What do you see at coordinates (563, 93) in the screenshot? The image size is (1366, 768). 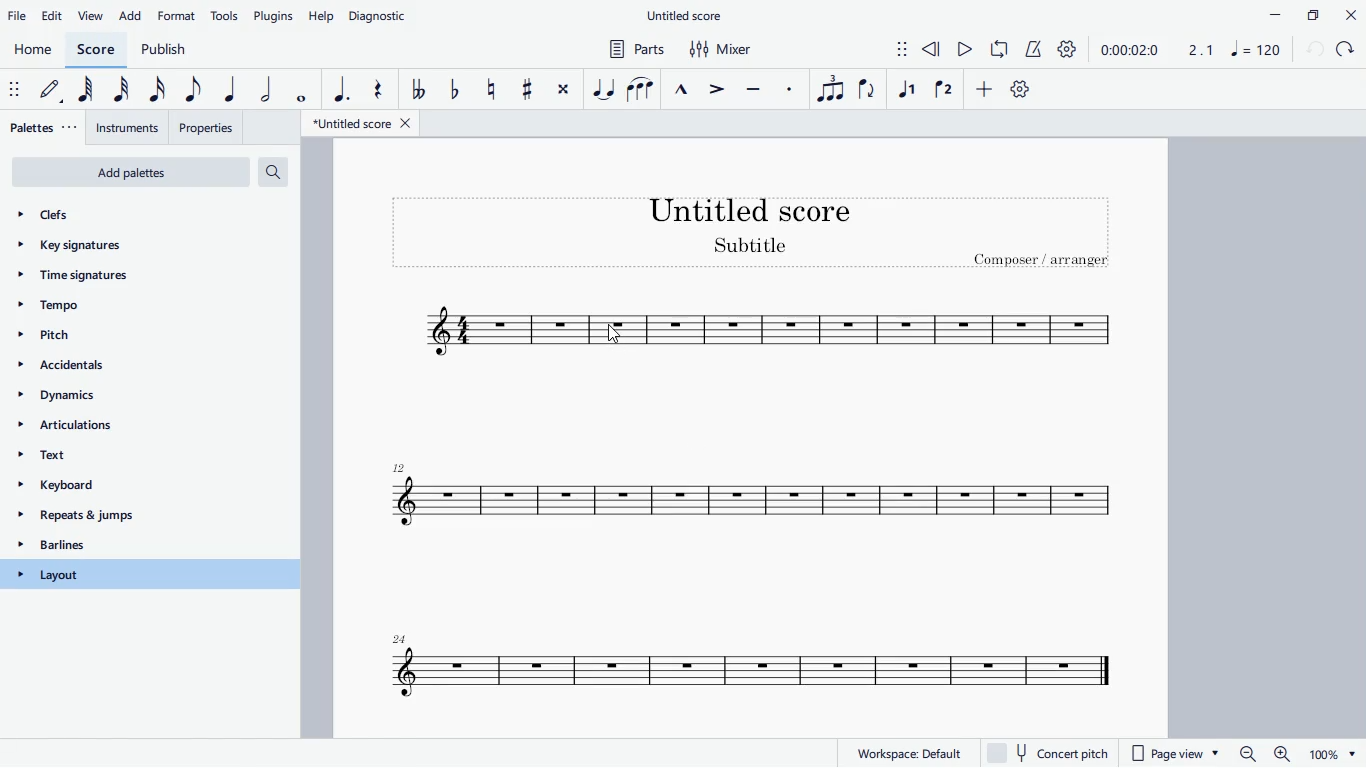 I see `toggle double sharp` at bounding box center [563, 93].